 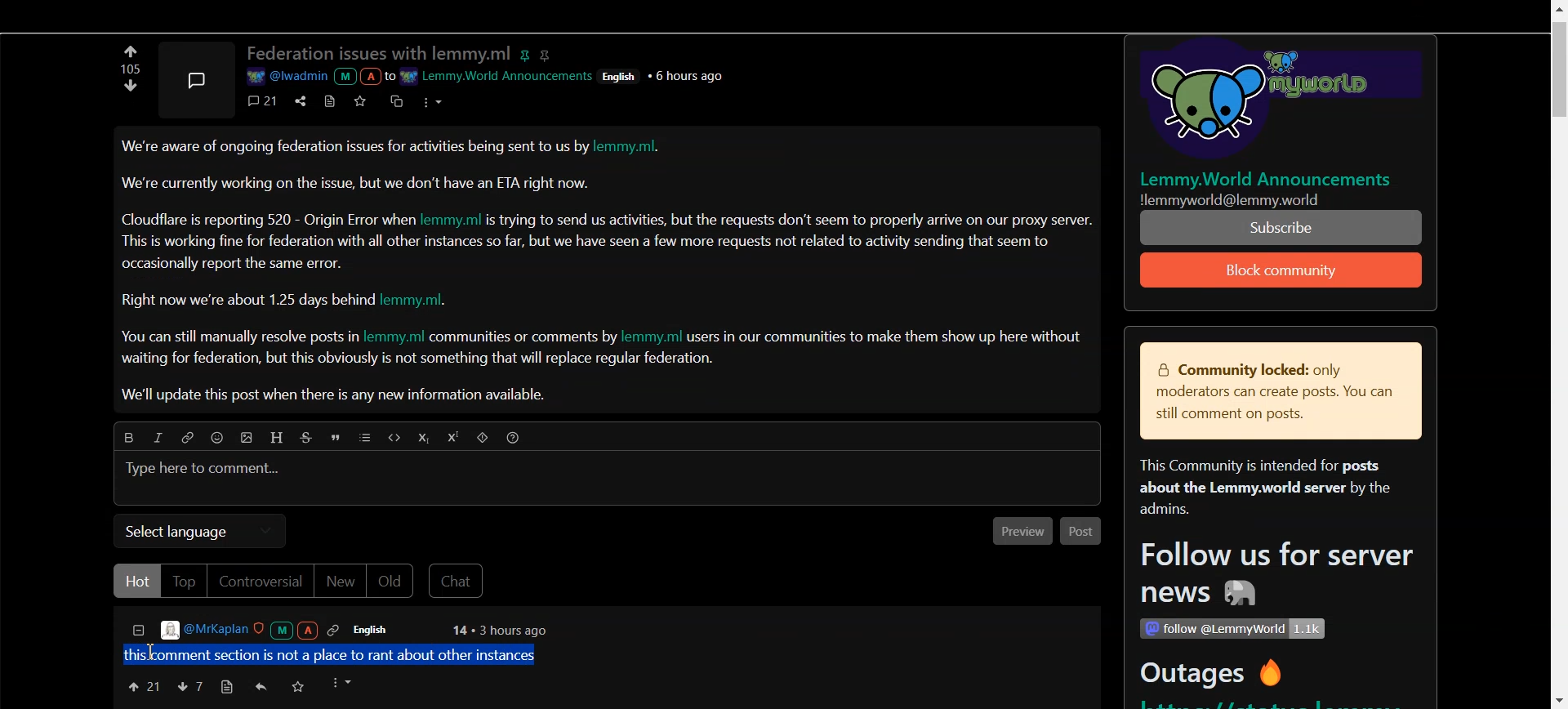 I want to click on Controversial, so click(x=260, y=582).